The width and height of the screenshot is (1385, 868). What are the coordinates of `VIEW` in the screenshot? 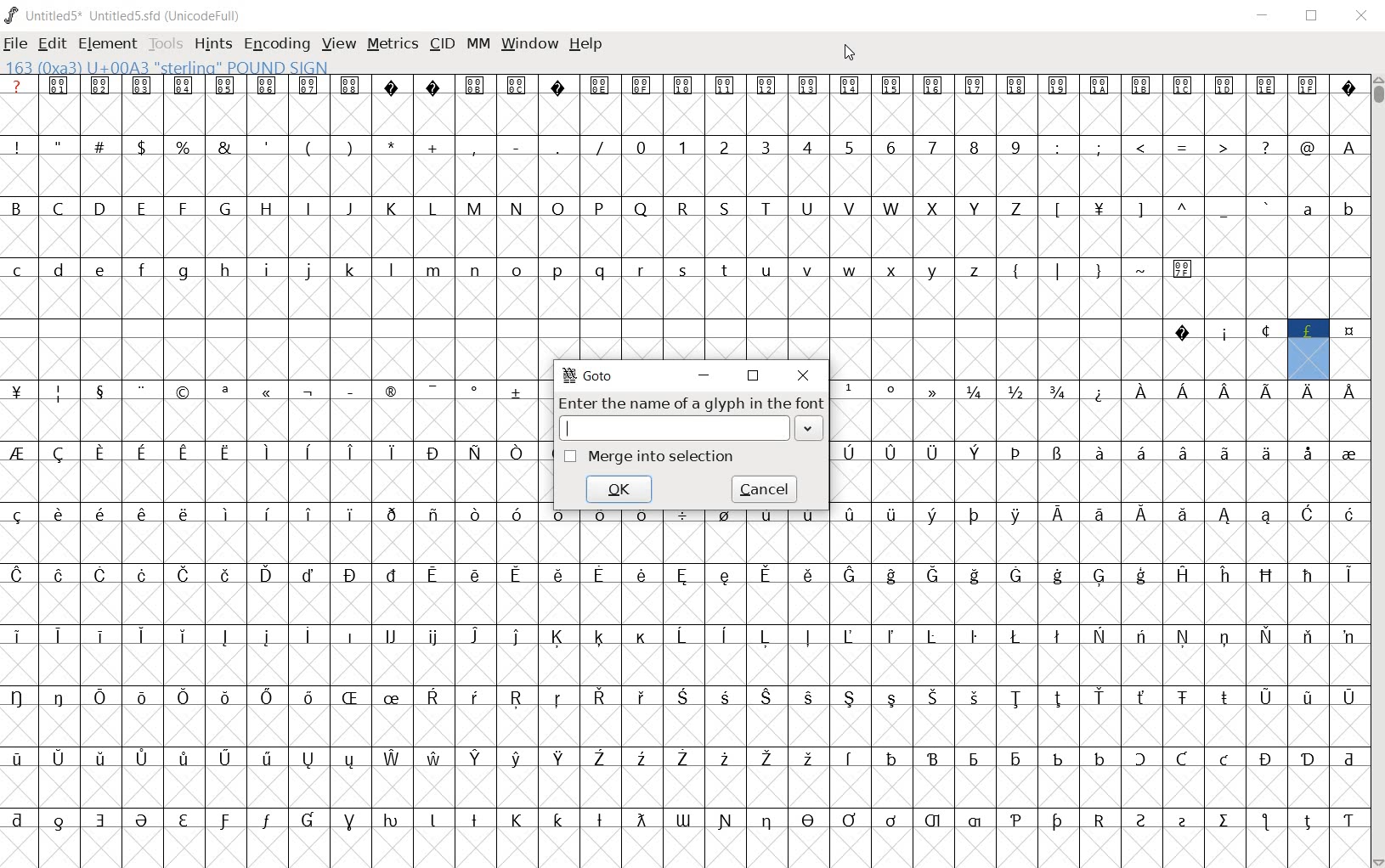 It's located at (337, 44).